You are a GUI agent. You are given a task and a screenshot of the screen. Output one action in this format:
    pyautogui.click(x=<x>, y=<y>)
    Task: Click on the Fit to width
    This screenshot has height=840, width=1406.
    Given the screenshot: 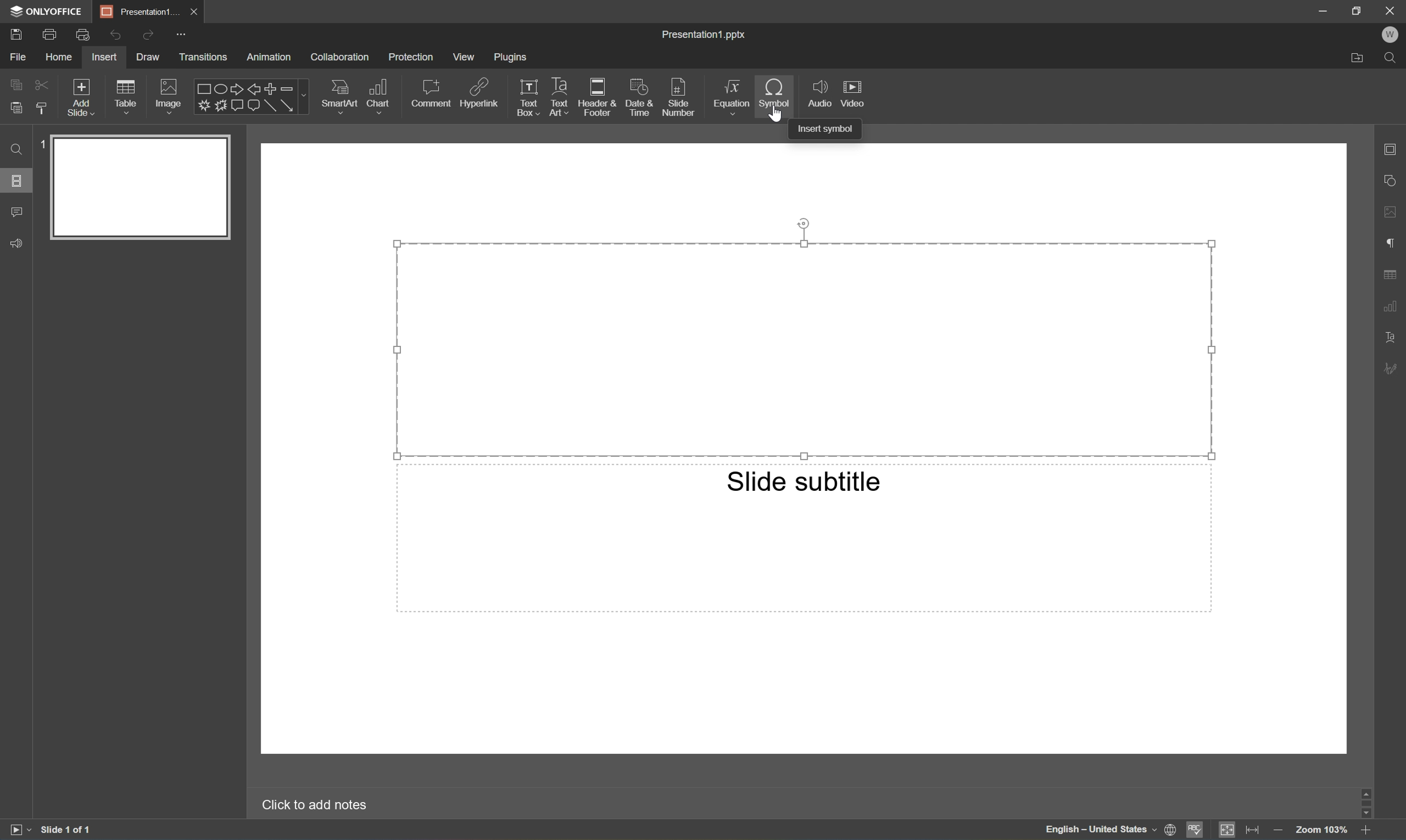 What is the action you would take?
    pyautogui.click(x=1254, y=829)
    